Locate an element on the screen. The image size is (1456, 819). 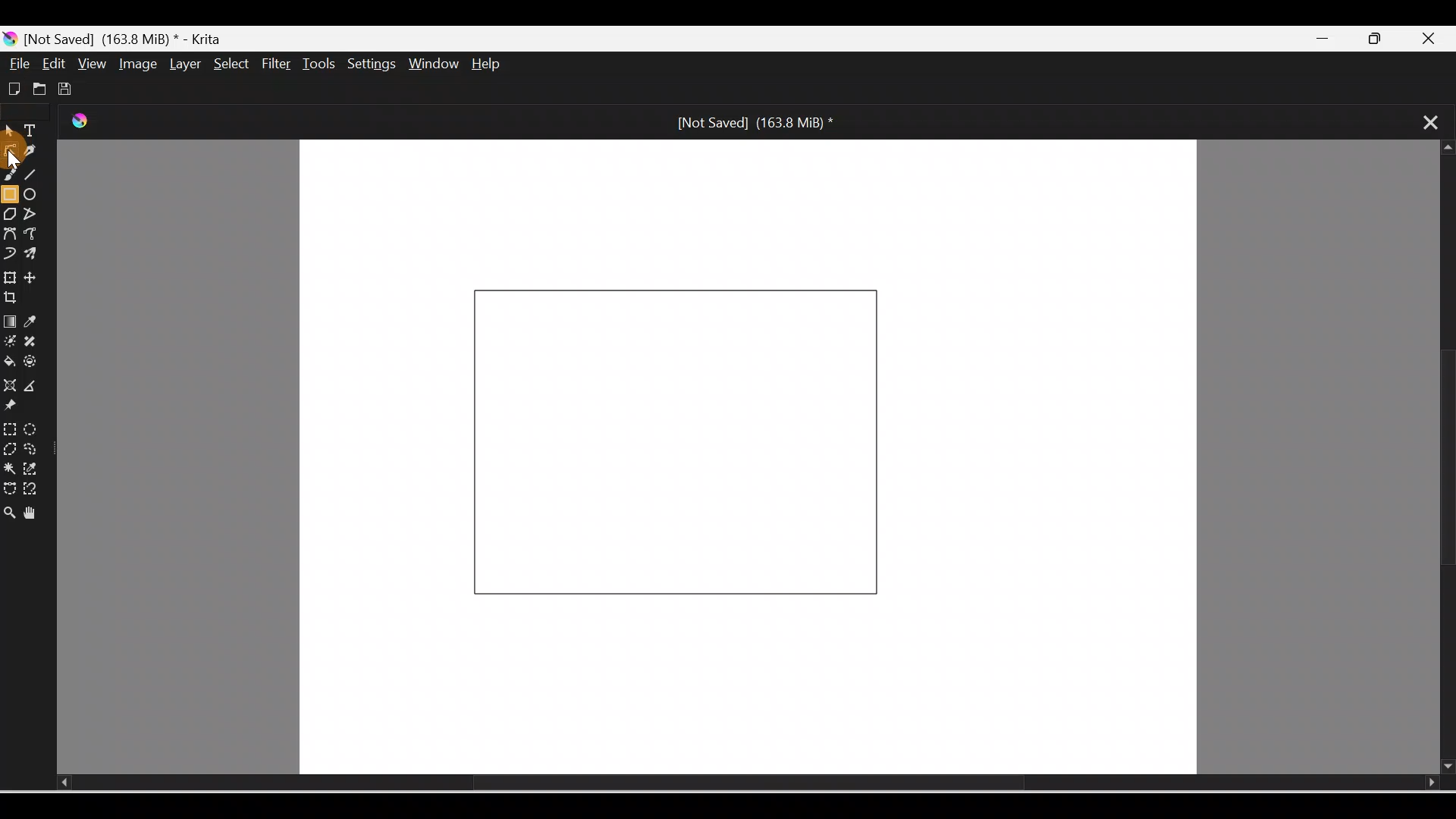
Zoom tool is located at coordinates (9, 508).